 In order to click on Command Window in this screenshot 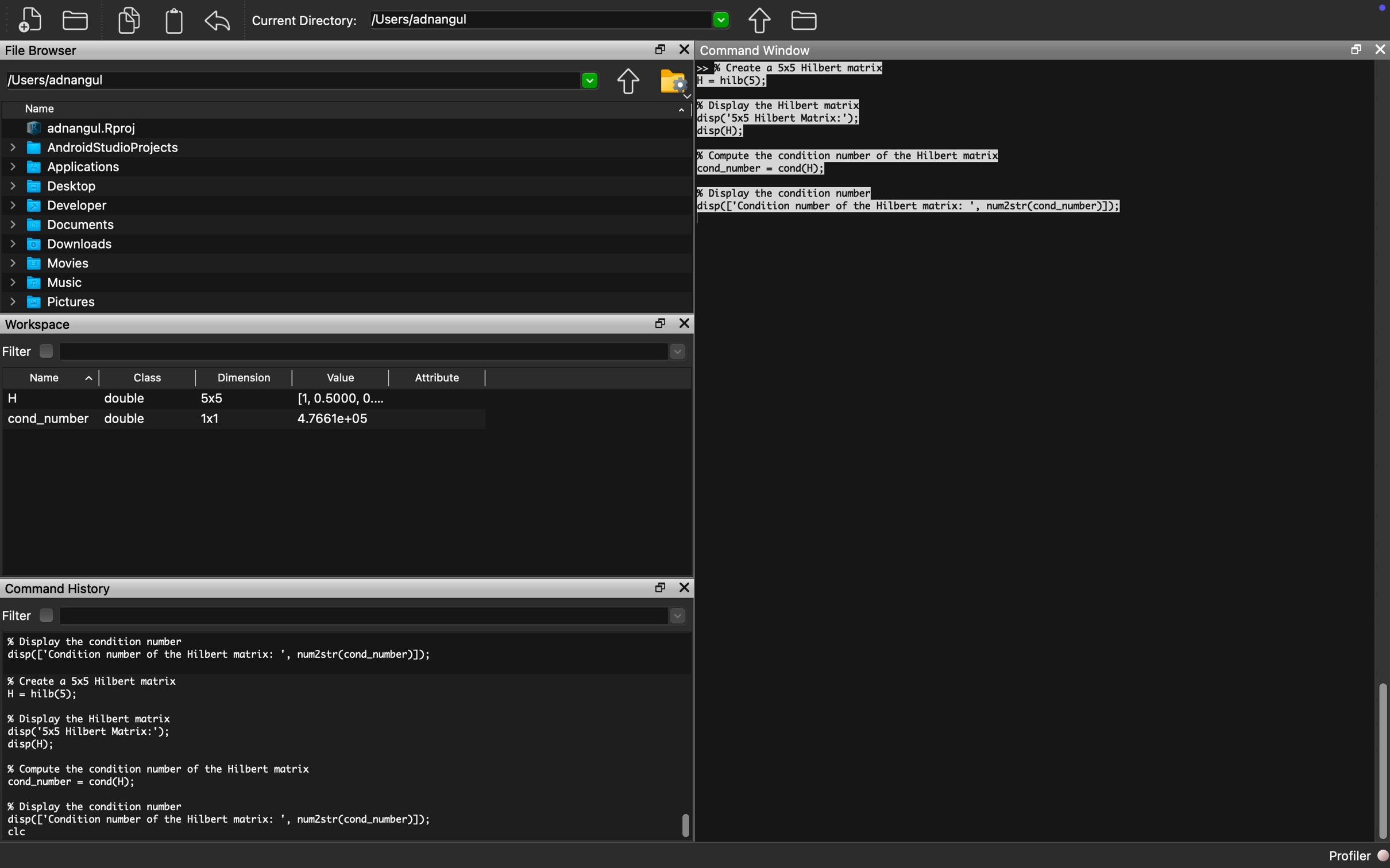, I will do `click(758, 51)`.